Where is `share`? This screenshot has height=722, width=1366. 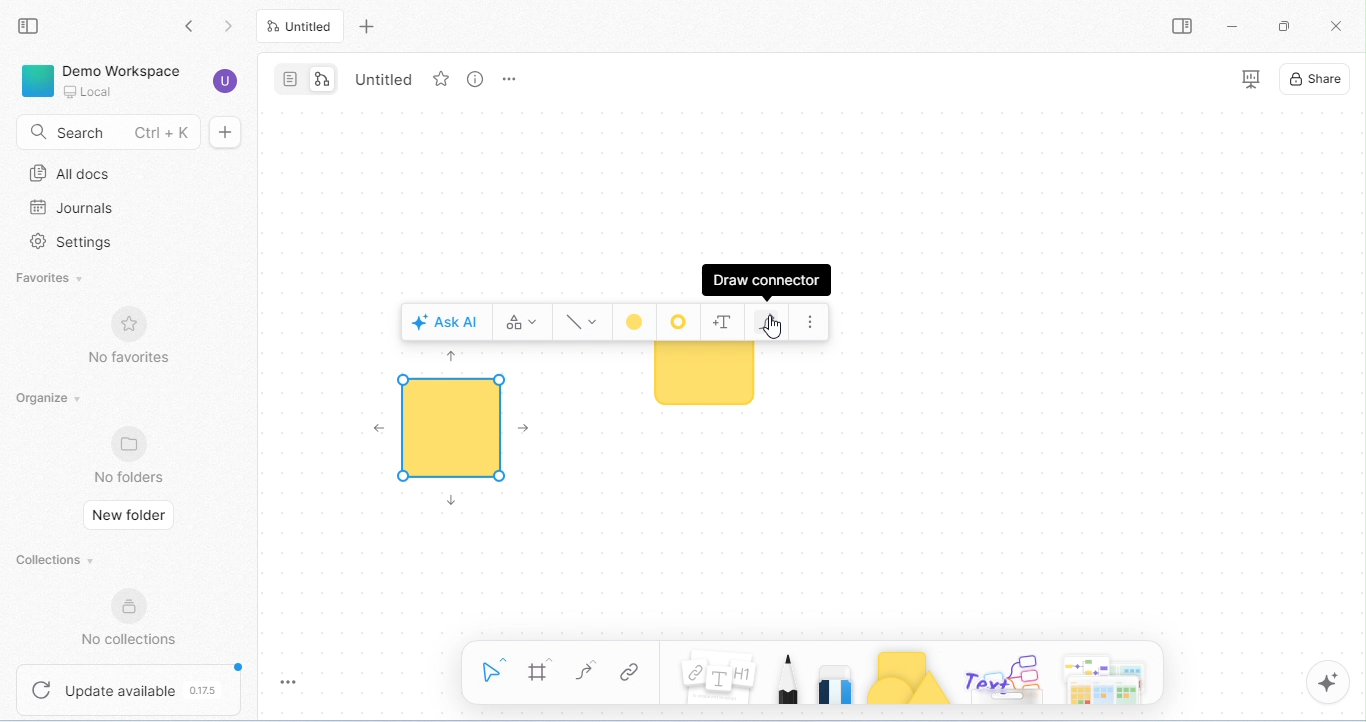
share is located at coordinates (1319, 81).